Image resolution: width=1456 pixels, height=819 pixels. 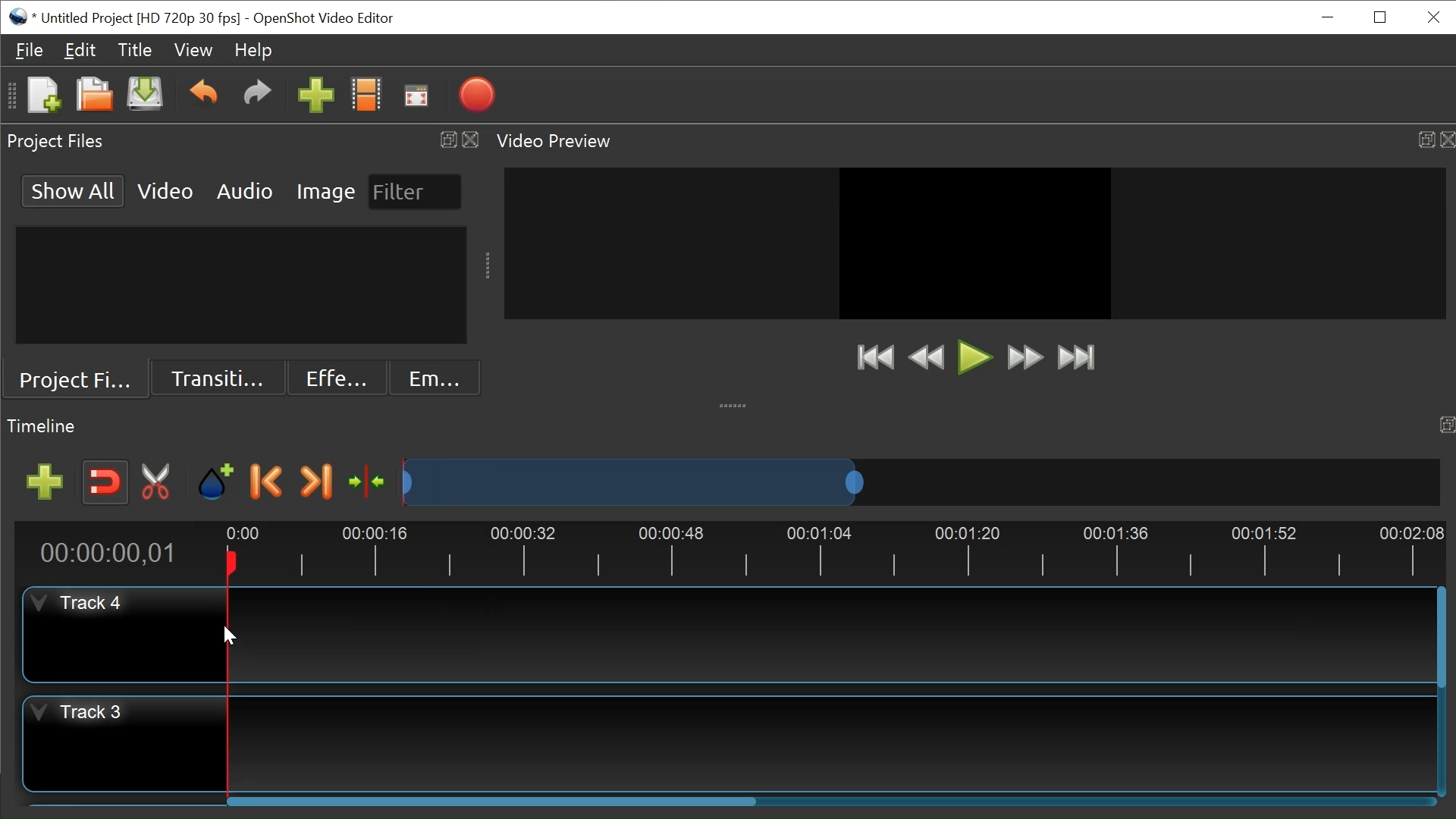 I want to click on Add Marker, so click(x=215, y=482).